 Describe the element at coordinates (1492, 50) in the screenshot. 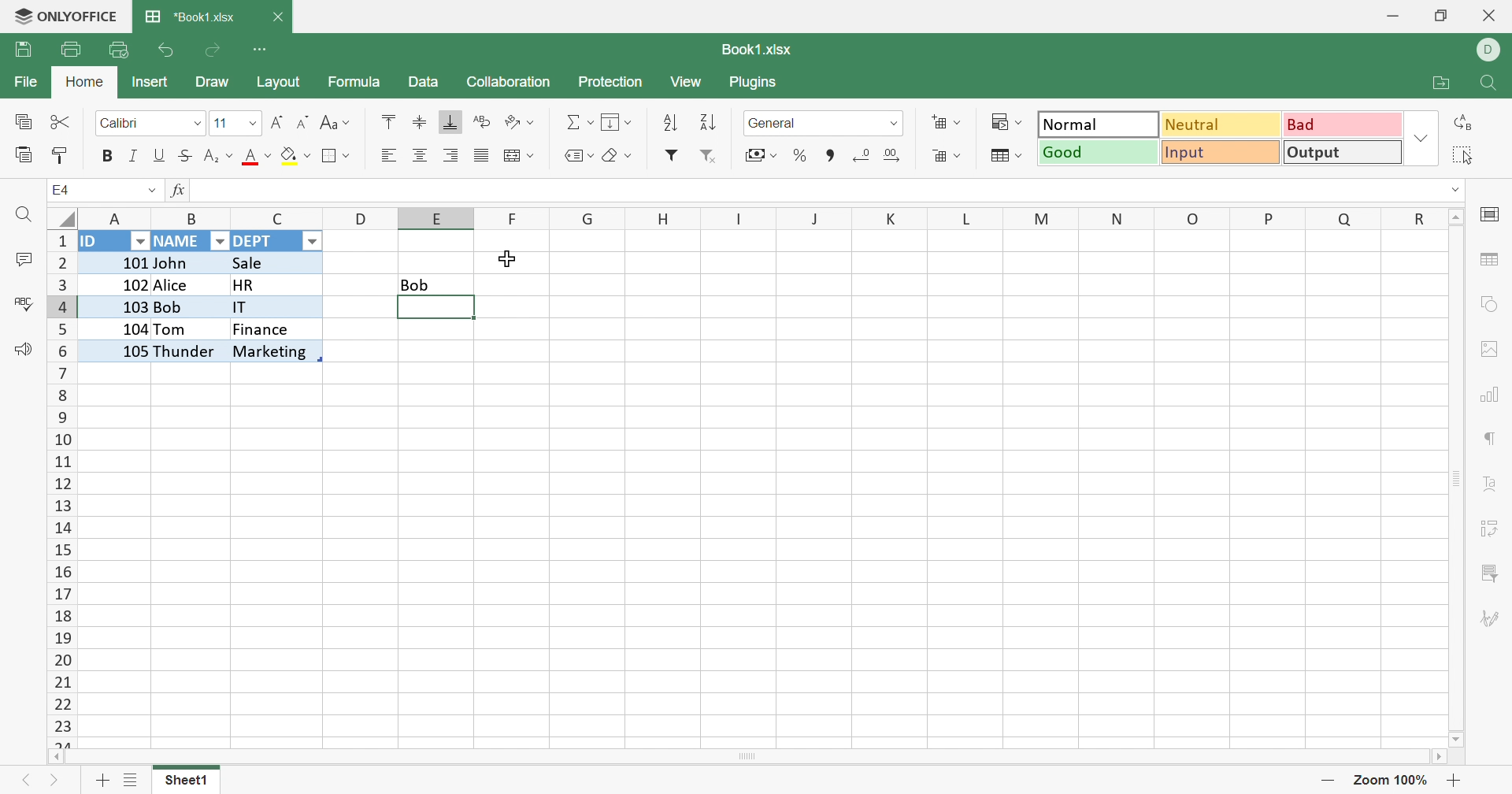

I see `DELL` at that location.